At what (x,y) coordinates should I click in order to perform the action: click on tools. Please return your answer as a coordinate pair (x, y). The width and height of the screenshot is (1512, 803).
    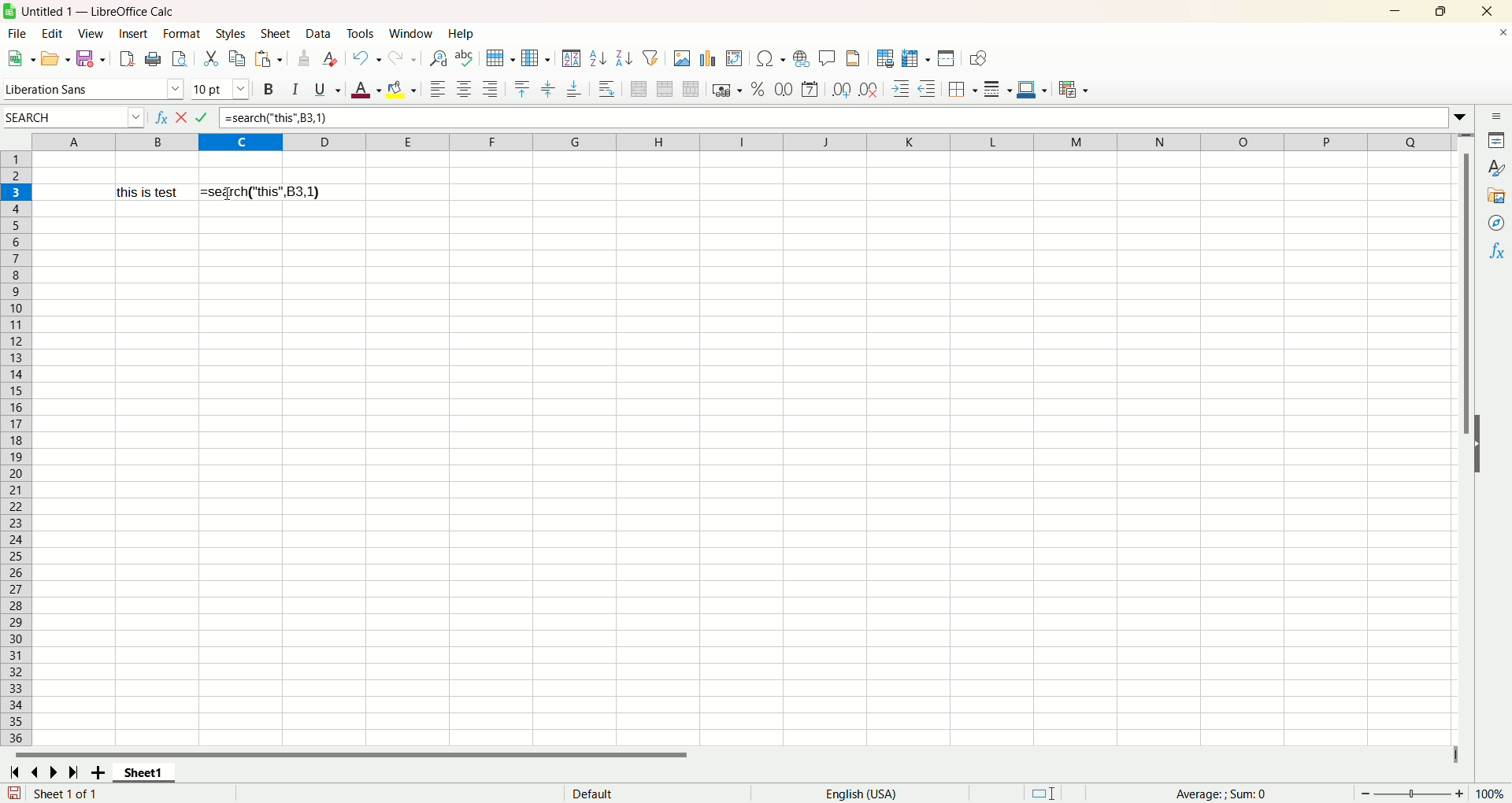
    Looking at the image, I should click on (361, 35).